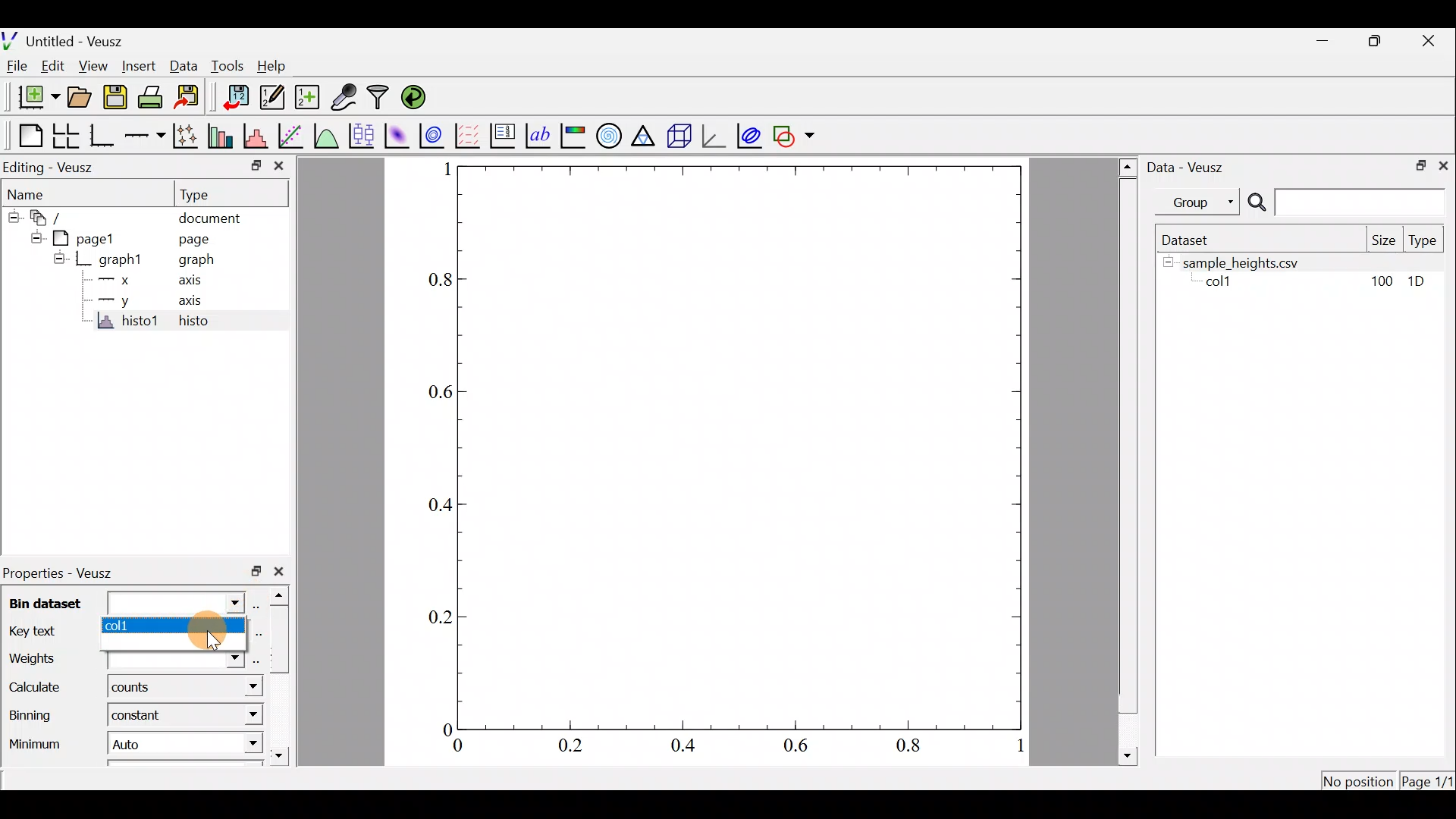  I want to click on Size, so click(1382, 240).